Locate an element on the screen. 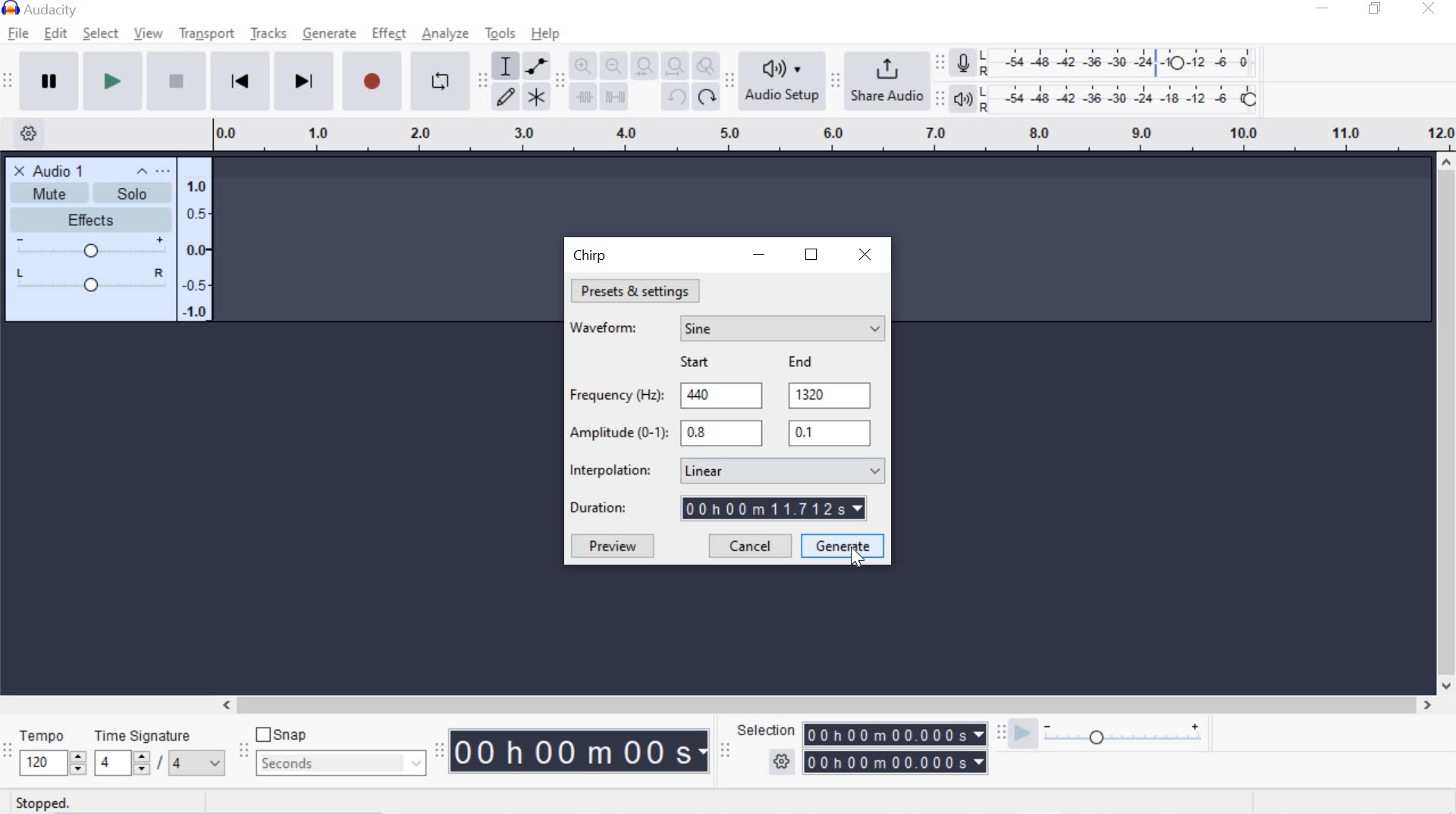 The height and width of the screenshot is (814, 1456). restore down is located at coordinates (811, 256).